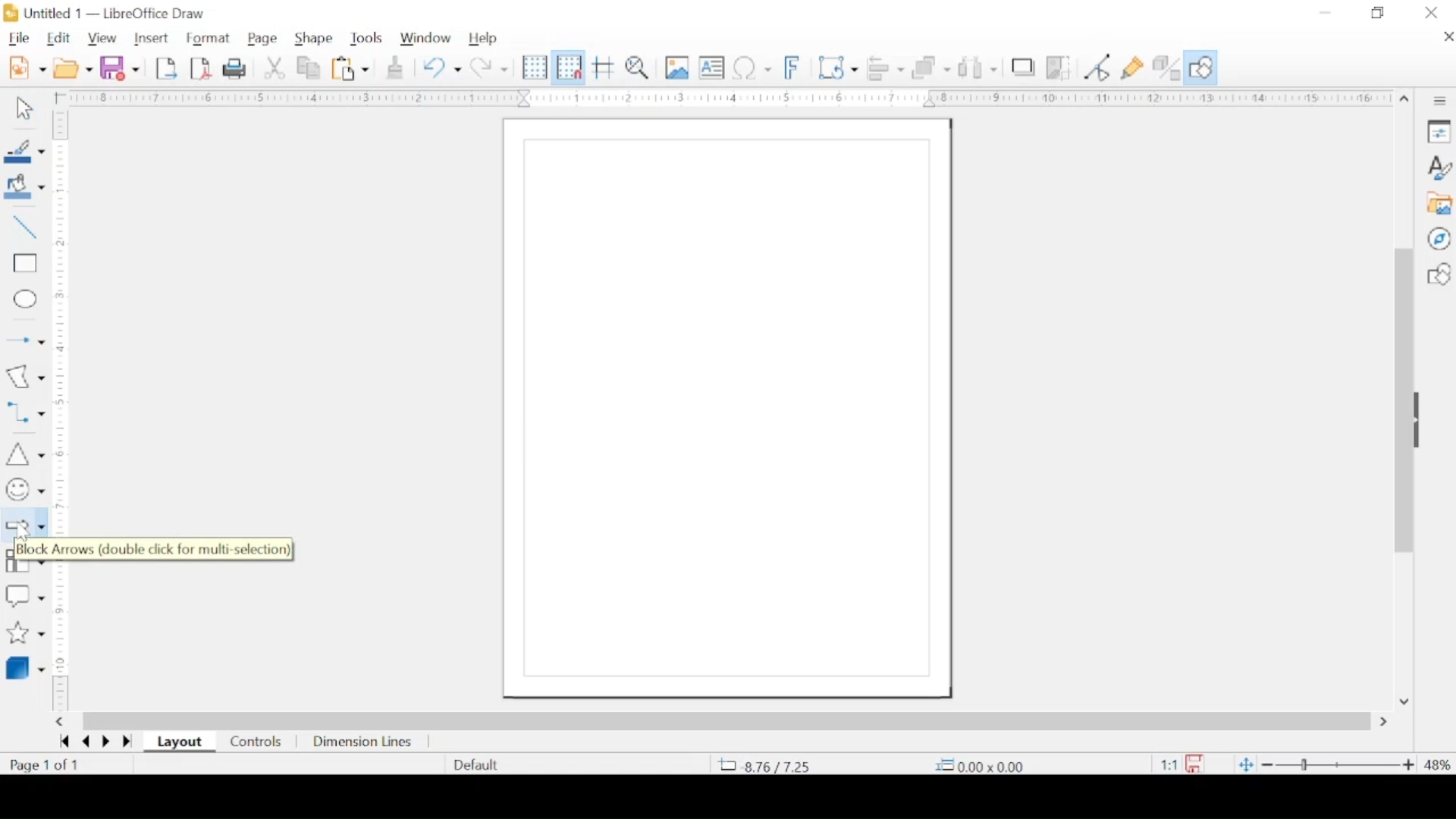  Describe the element at coordinates (1439, 167) in the screenshot. I see `styles` at that location.